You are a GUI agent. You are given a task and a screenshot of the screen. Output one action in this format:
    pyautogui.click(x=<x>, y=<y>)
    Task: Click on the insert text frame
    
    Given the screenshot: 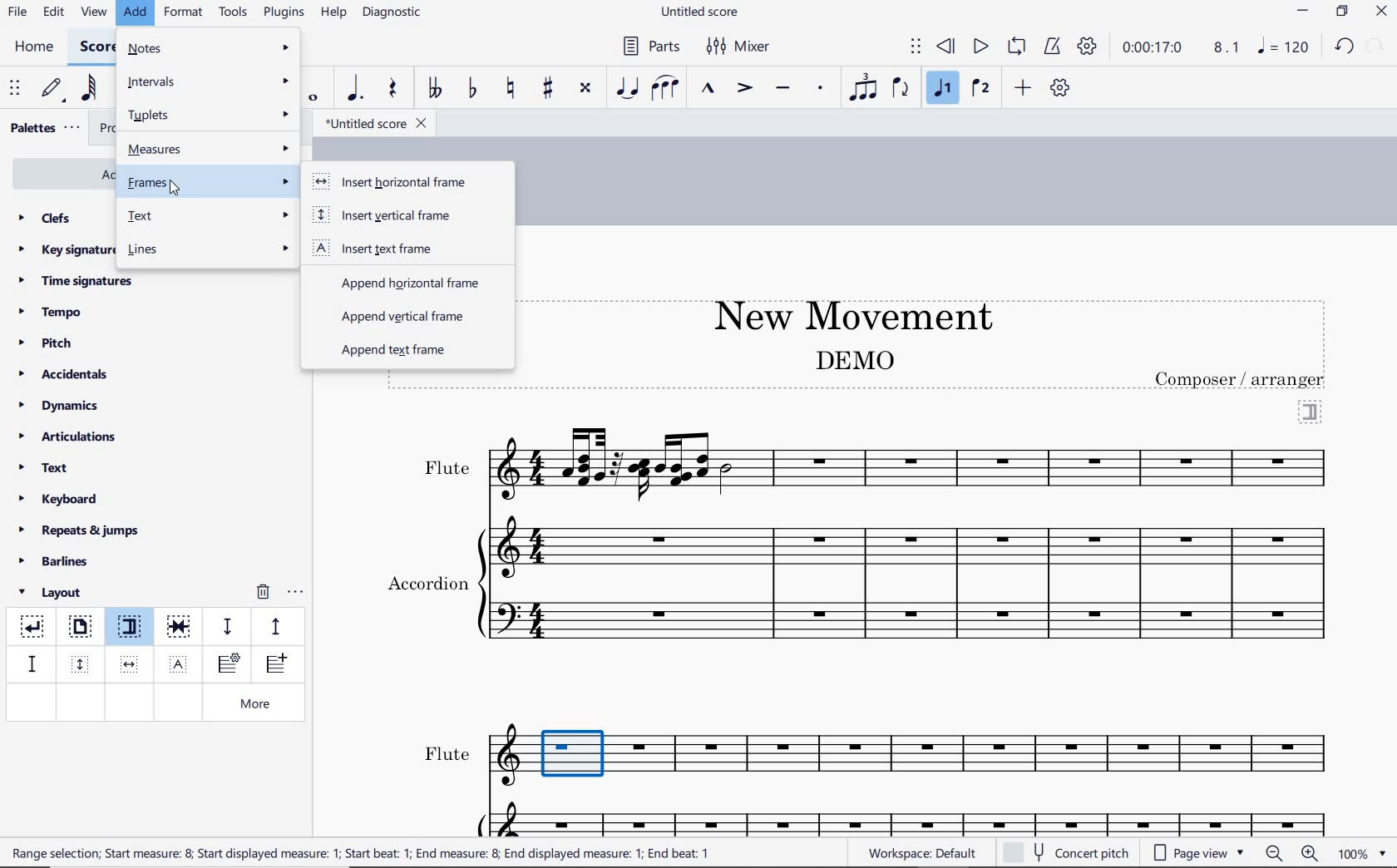 What is the action you would take?
    pyautogui.click(x=180, y=663)
    